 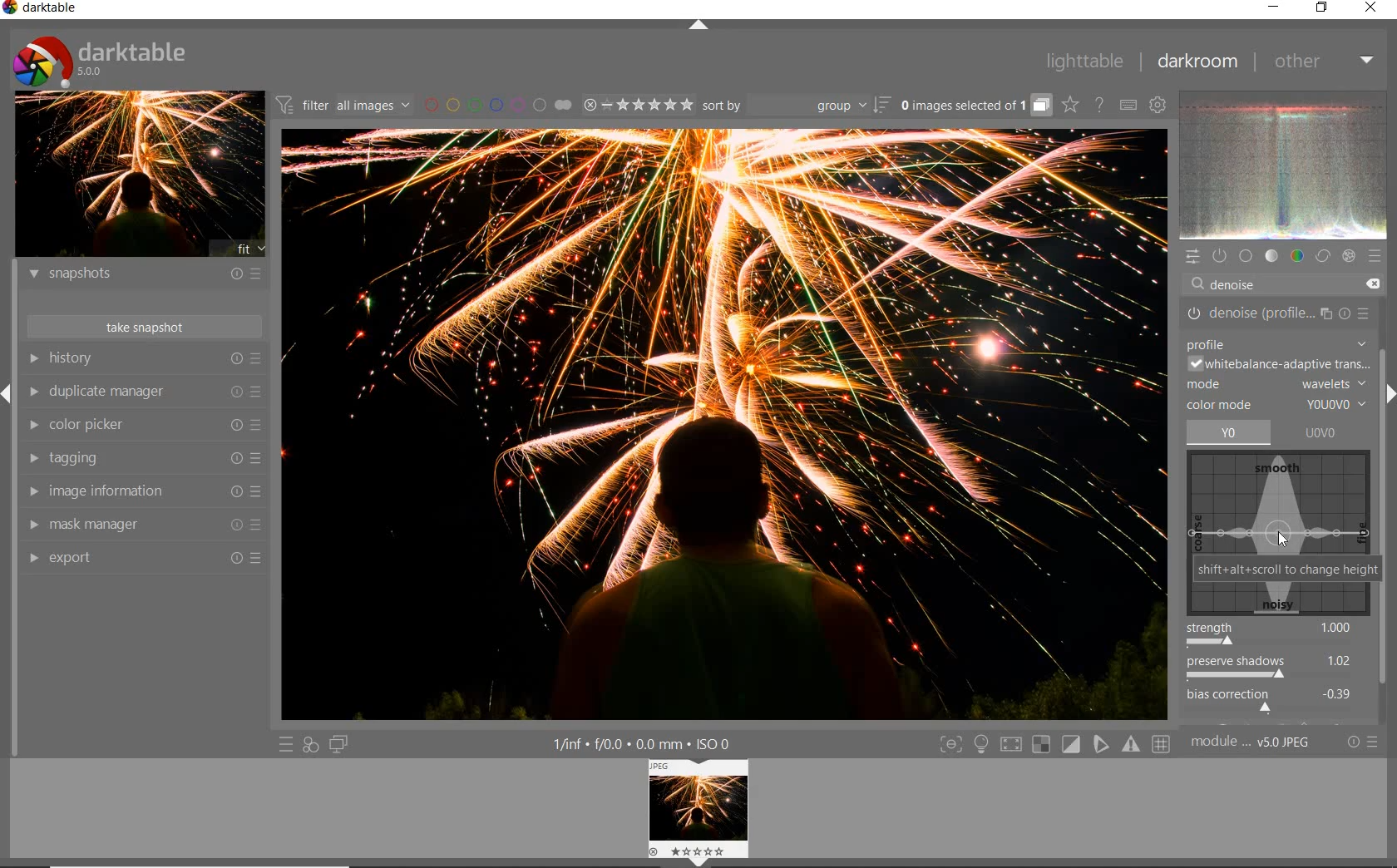 I want to click on enable online help, so click(x=1102, y=106).